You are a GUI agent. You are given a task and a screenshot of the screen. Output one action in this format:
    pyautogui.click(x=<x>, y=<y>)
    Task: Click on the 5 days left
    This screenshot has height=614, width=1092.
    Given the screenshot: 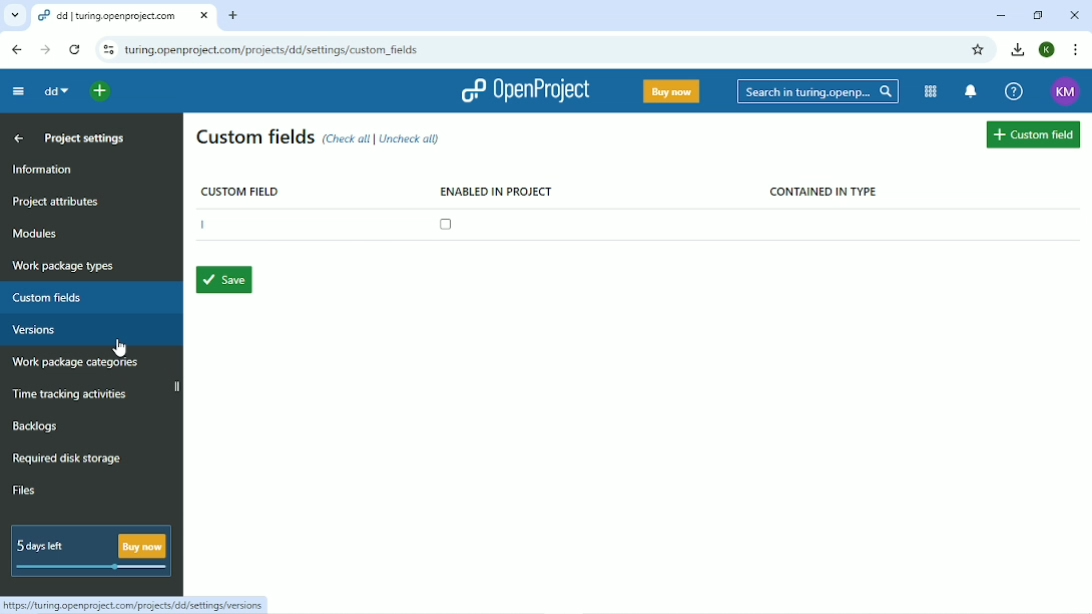 What is the action you would take?
    pyautogui.click(x=89, y=552)
    